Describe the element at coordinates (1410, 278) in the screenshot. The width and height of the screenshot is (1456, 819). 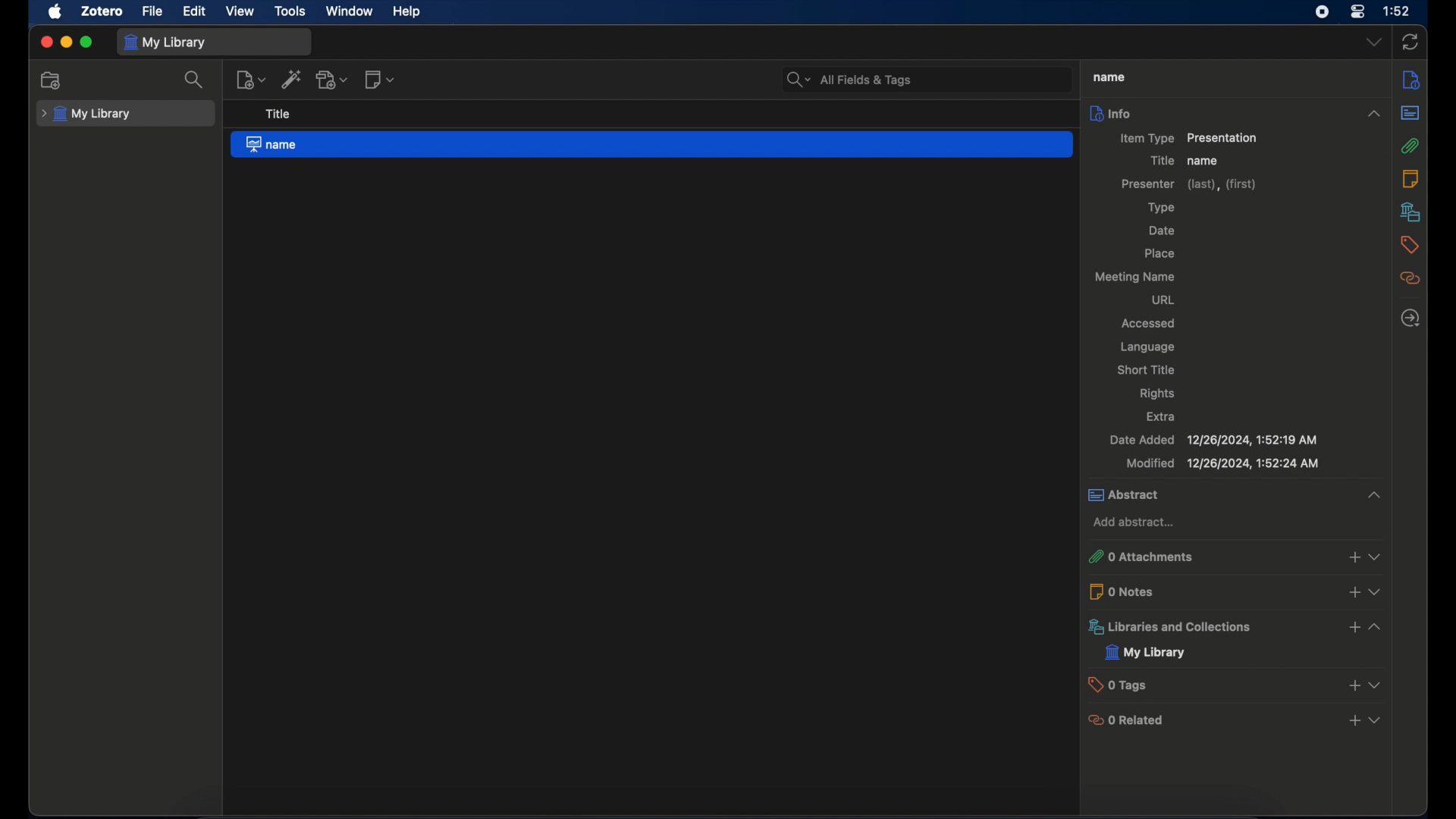
I see `related` at that location.